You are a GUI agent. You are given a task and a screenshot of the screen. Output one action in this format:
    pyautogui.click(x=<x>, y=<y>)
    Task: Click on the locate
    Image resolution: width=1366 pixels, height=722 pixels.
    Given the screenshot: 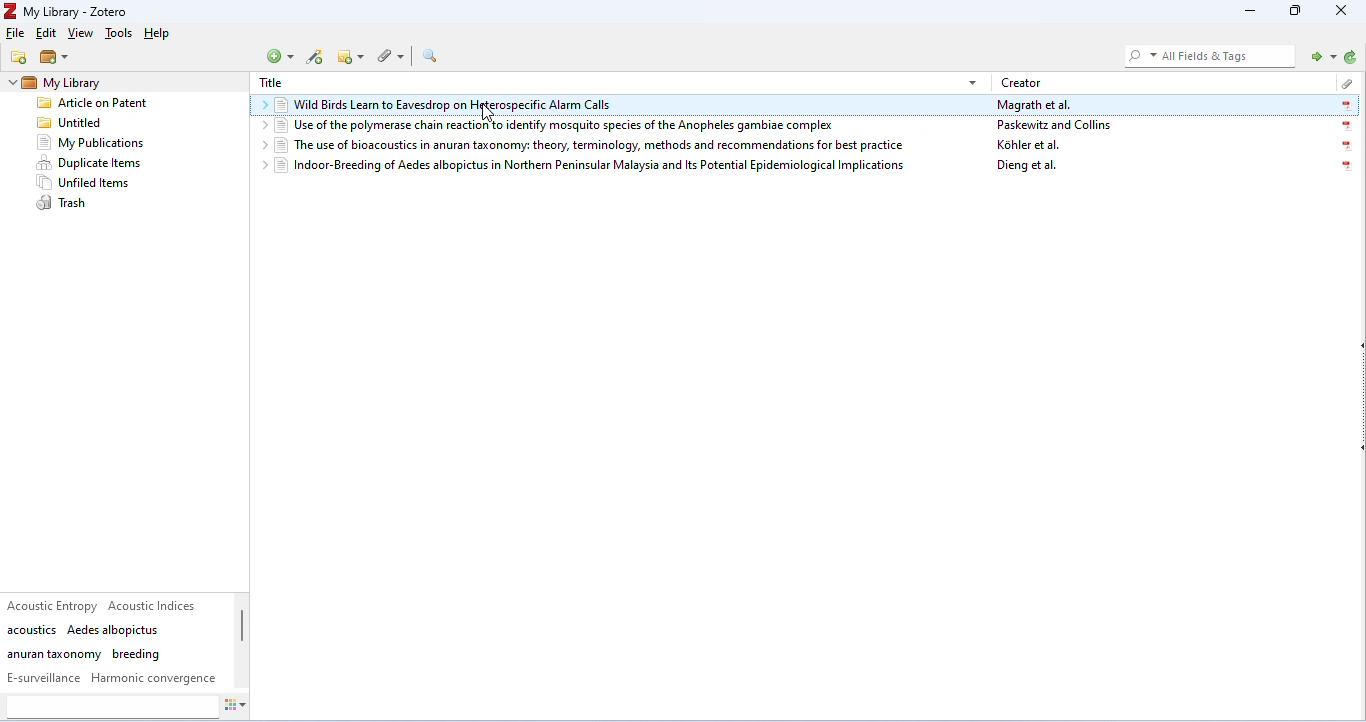 What is the action you would take?
    pyautogui.click(x=1319, y=55)
    